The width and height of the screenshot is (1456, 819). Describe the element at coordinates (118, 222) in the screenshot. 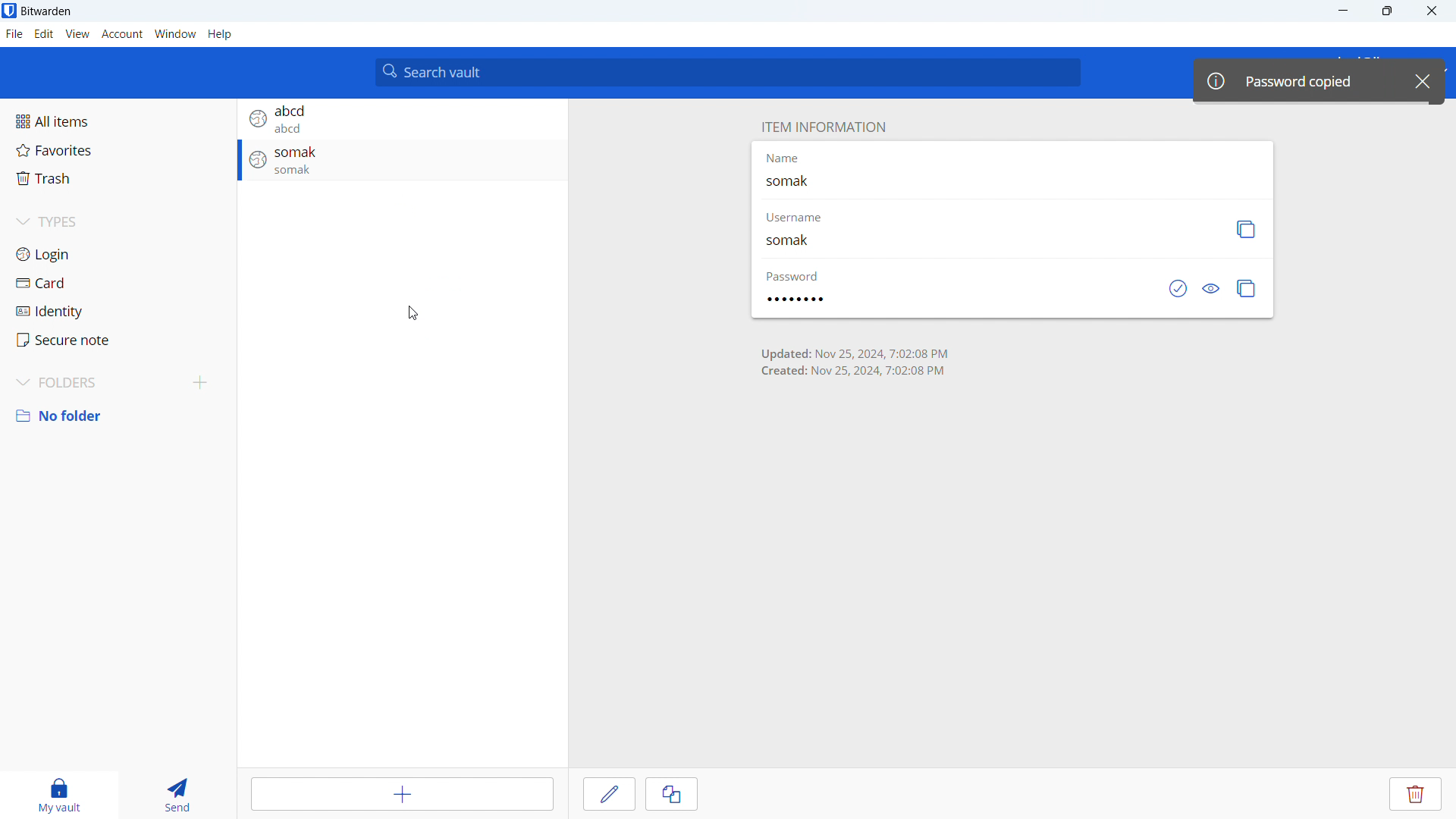

I see `types` at that location.